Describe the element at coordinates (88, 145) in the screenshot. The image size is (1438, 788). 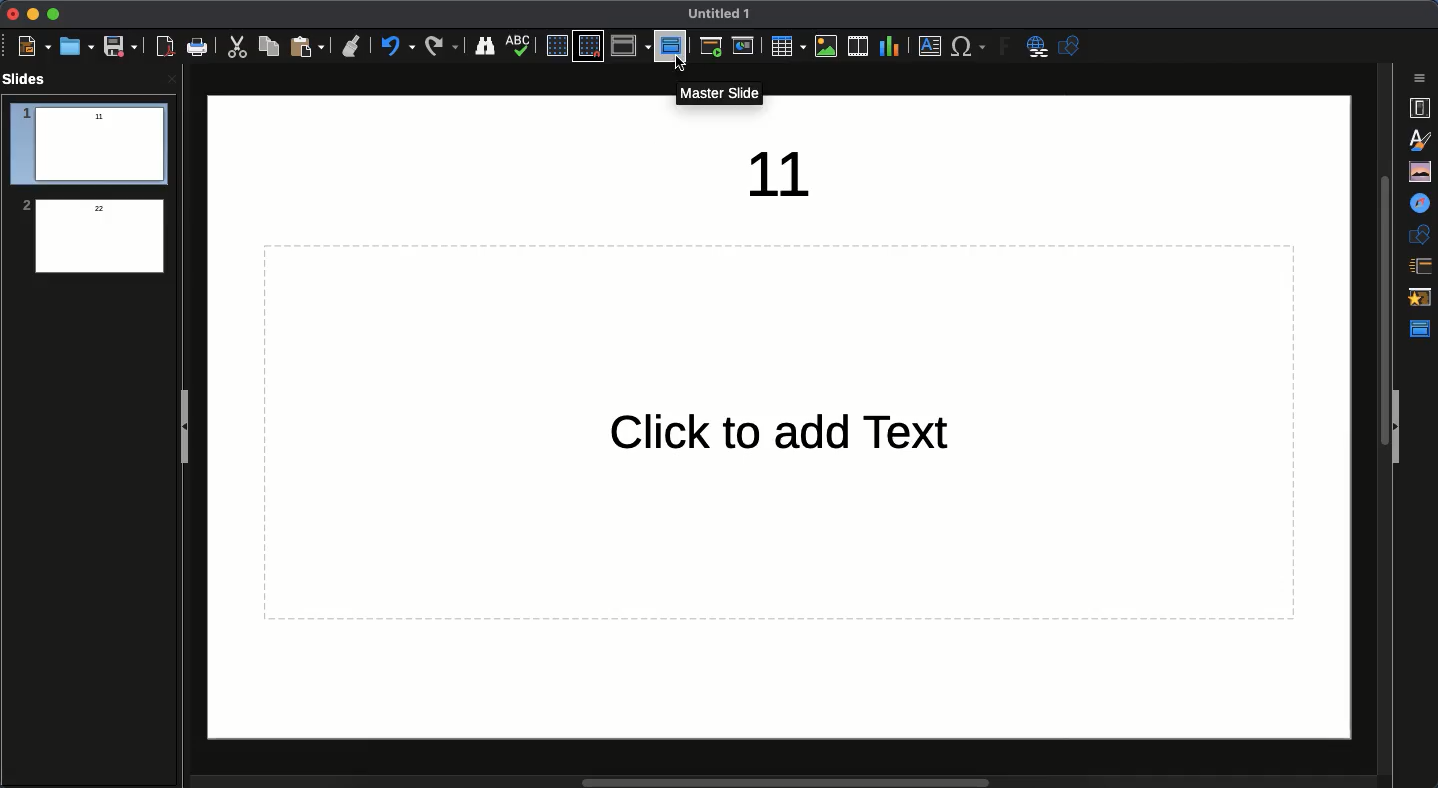
I see `slide 1` at that location.